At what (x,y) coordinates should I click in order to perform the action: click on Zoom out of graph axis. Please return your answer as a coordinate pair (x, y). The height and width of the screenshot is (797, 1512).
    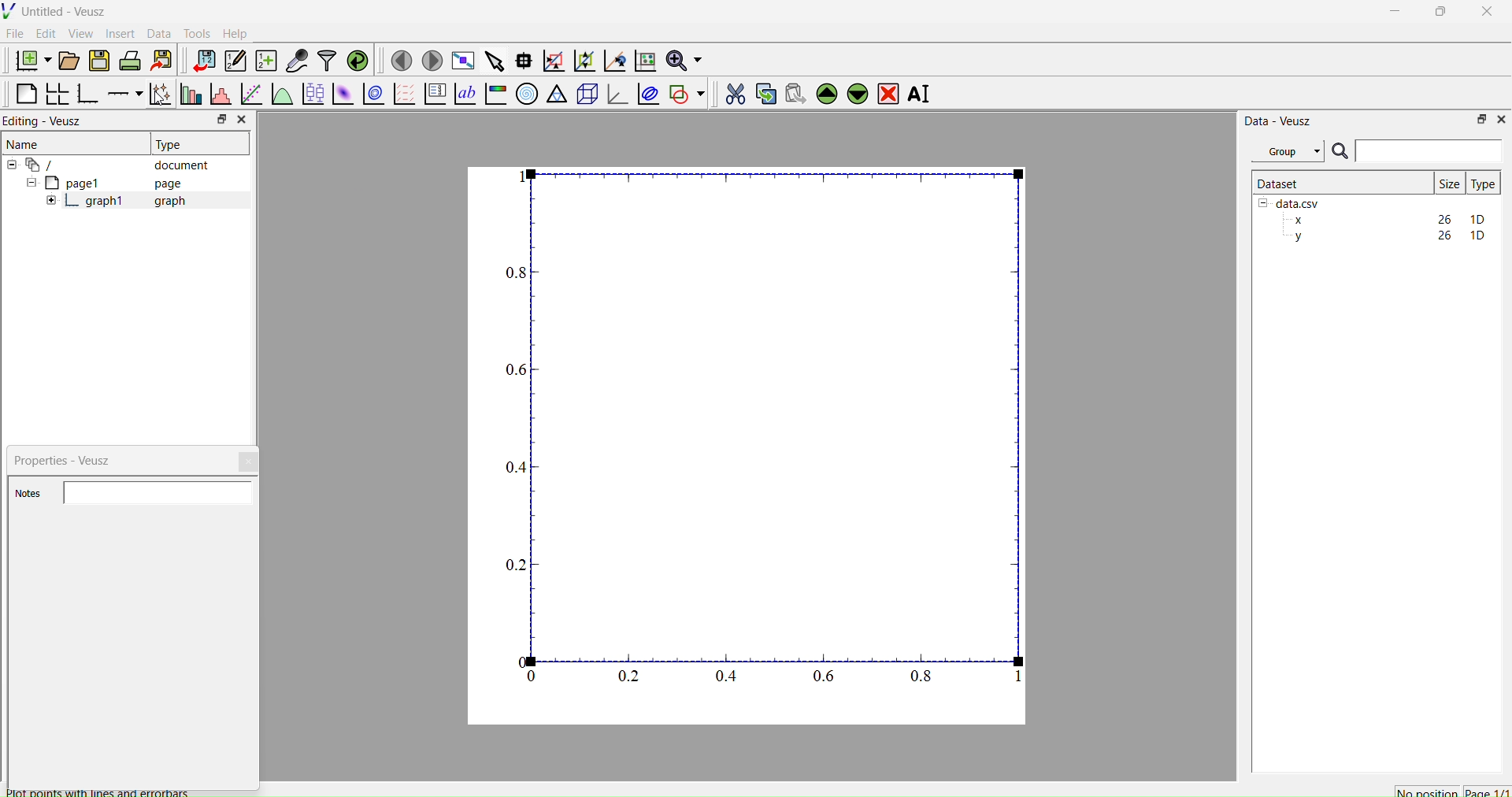
    Looking at the image, I should click on (583, 59).